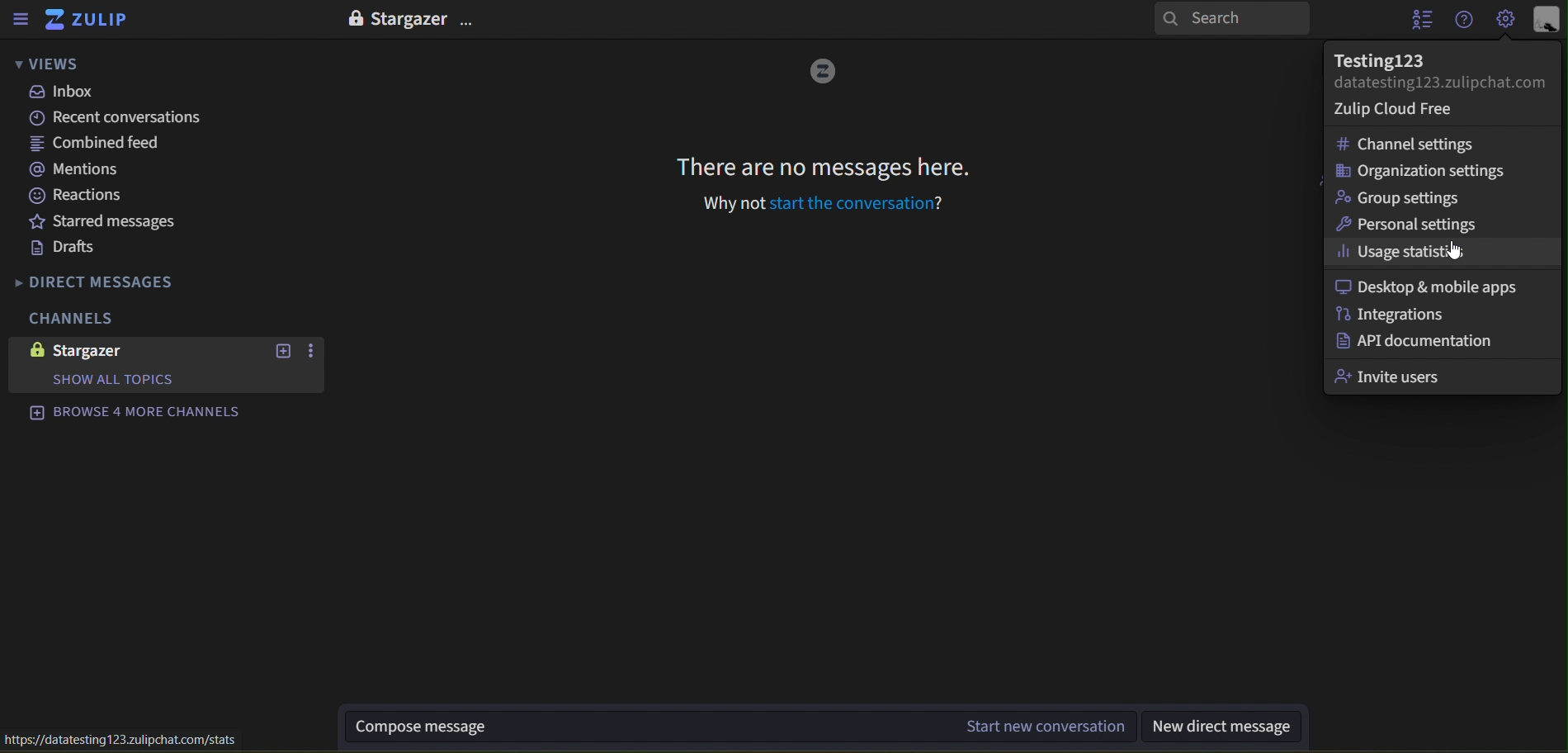  I want to click on combined feed, so click(97, 144).